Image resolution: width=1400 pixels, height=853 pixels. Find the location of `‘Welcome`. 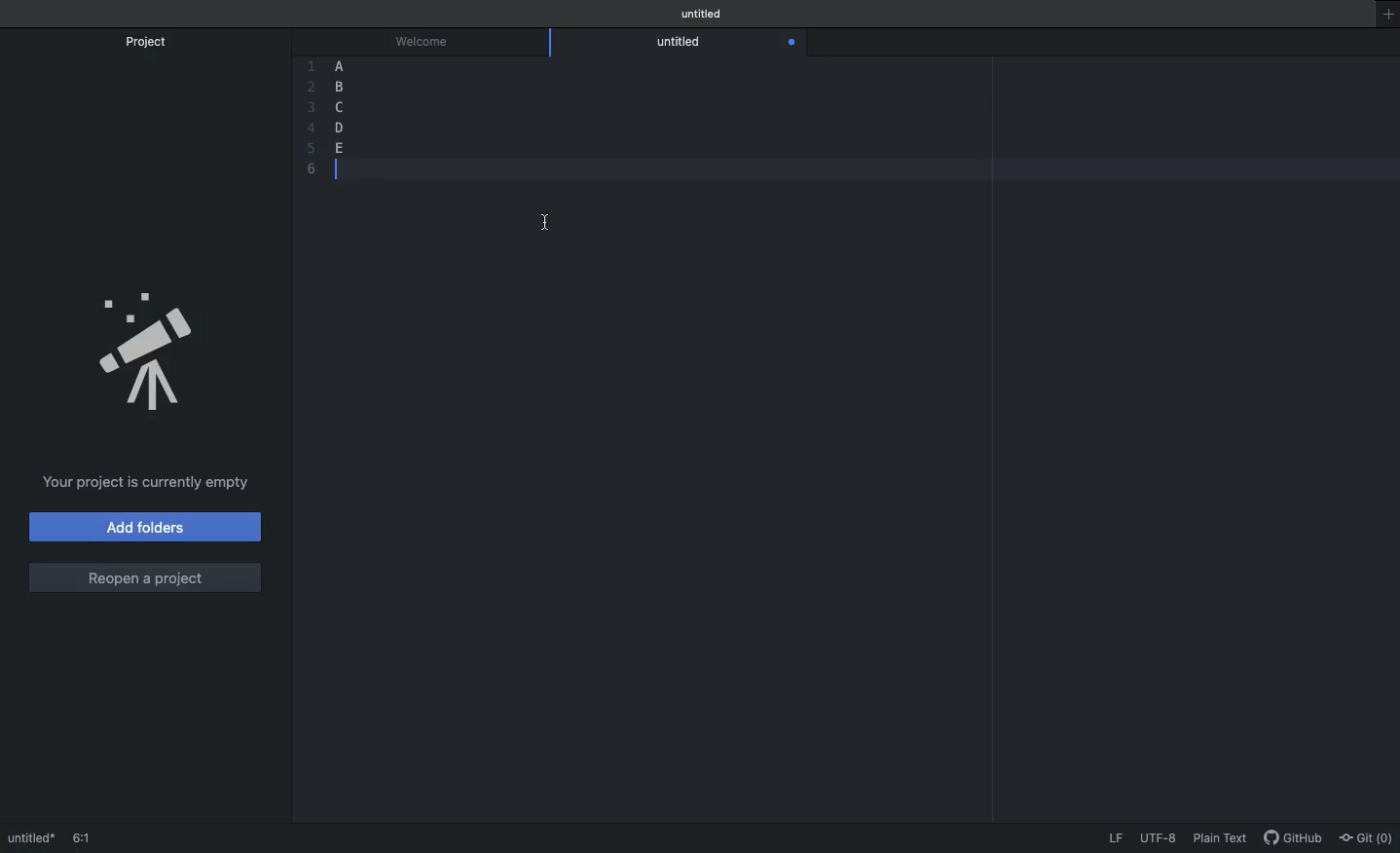

‘Welcome is located at coordinates (427, 39).